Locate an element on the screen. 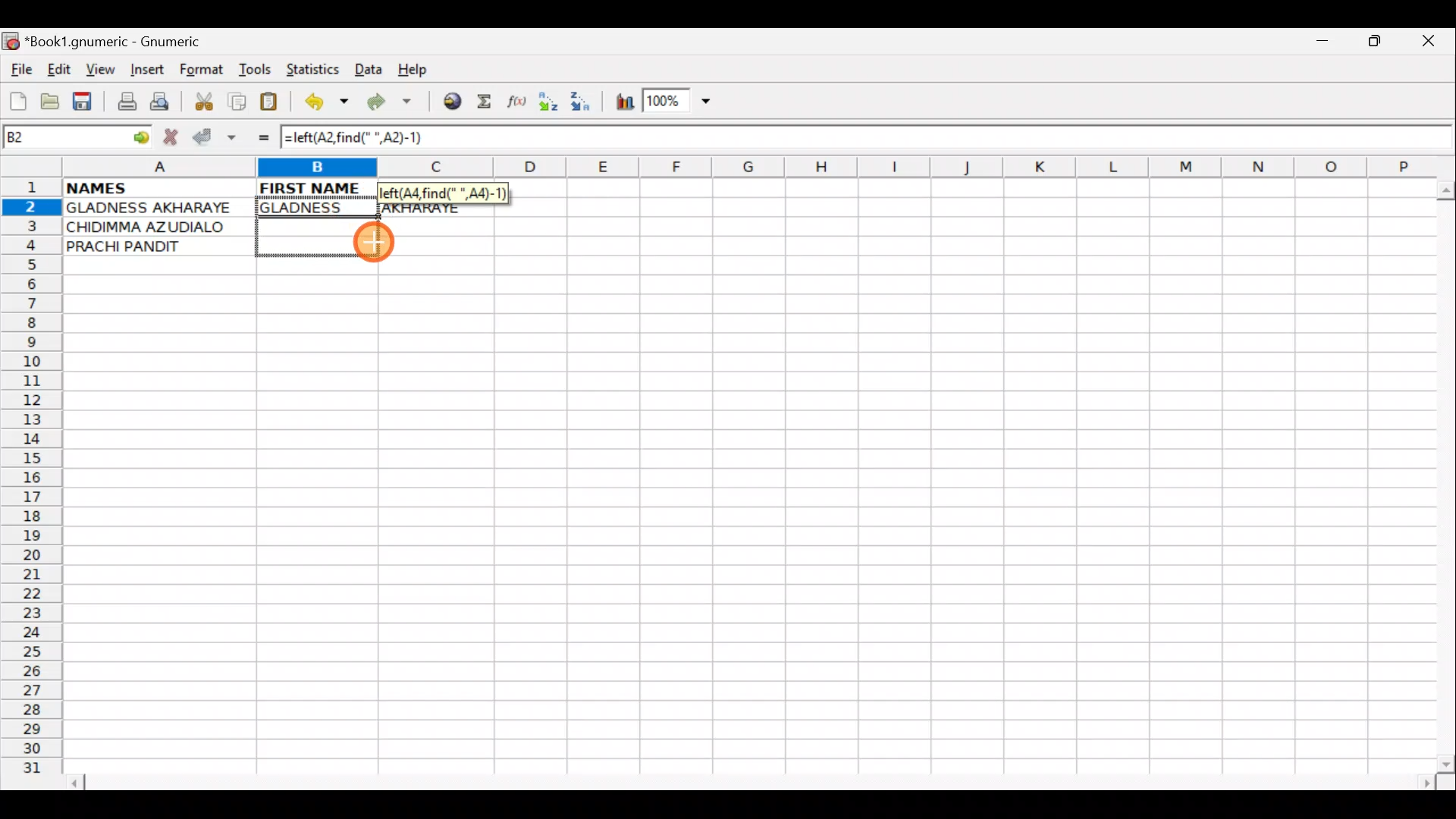 This screenshot has width=1456, height=819. Edit function in the current cell is located at coordinates (519, 105).